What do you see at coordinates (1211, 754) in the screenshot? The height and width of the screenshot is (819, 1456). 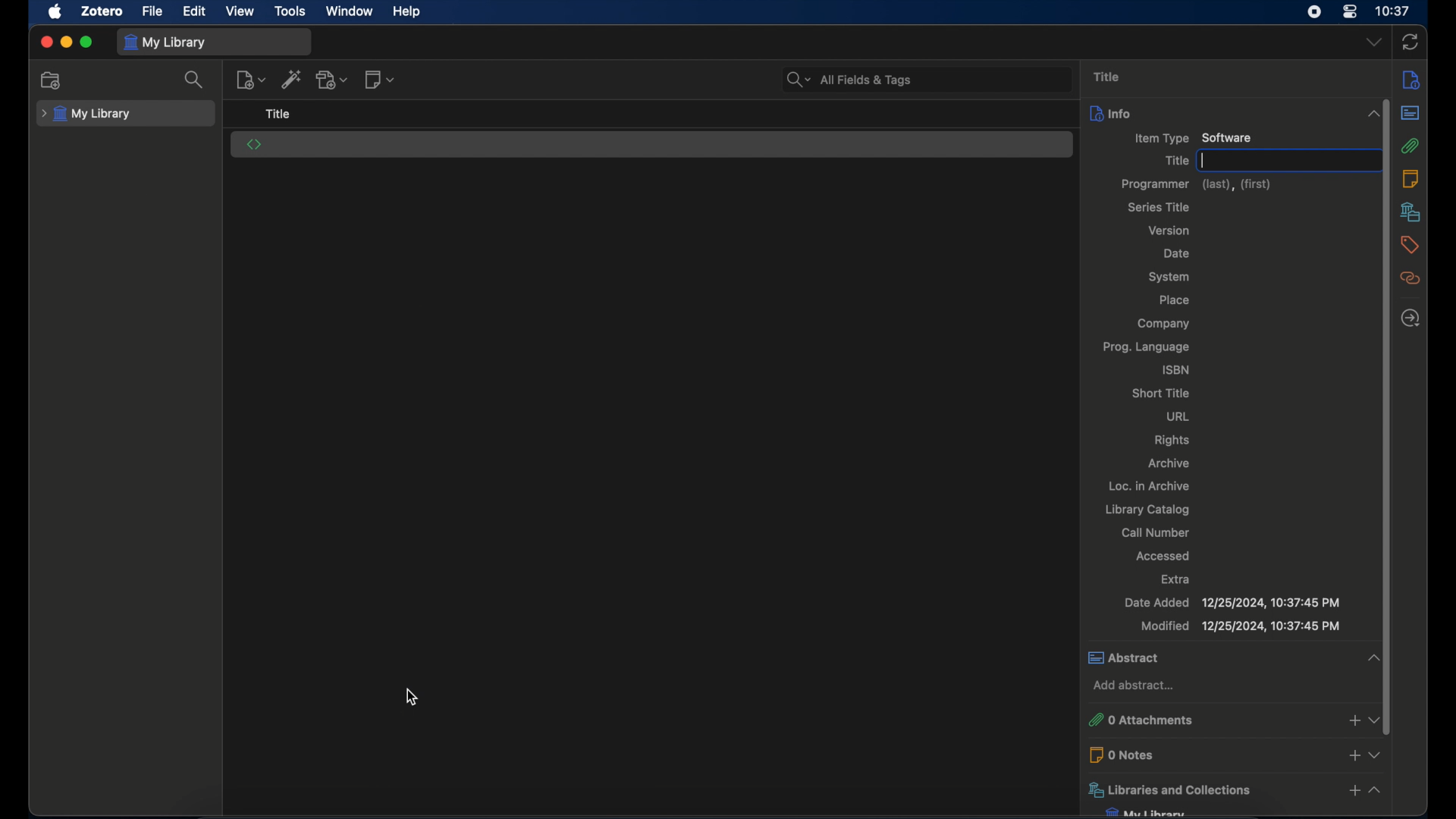 I see `0 notes` at bounding box center [1211, 754].